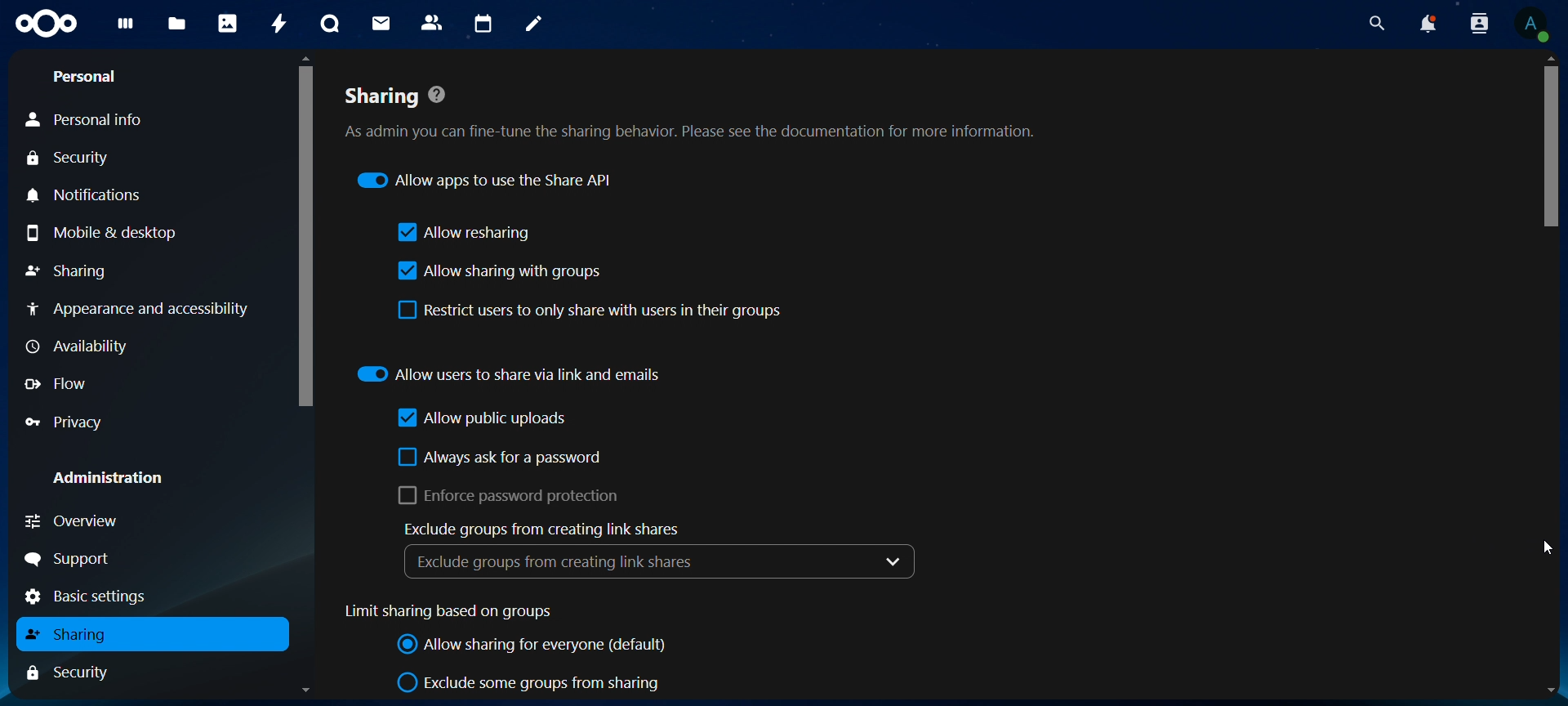 This screenshot has height=706, width=1568. Describe the element at coordinates (431, 22) in the screenshot. I see `contacts` at that location.